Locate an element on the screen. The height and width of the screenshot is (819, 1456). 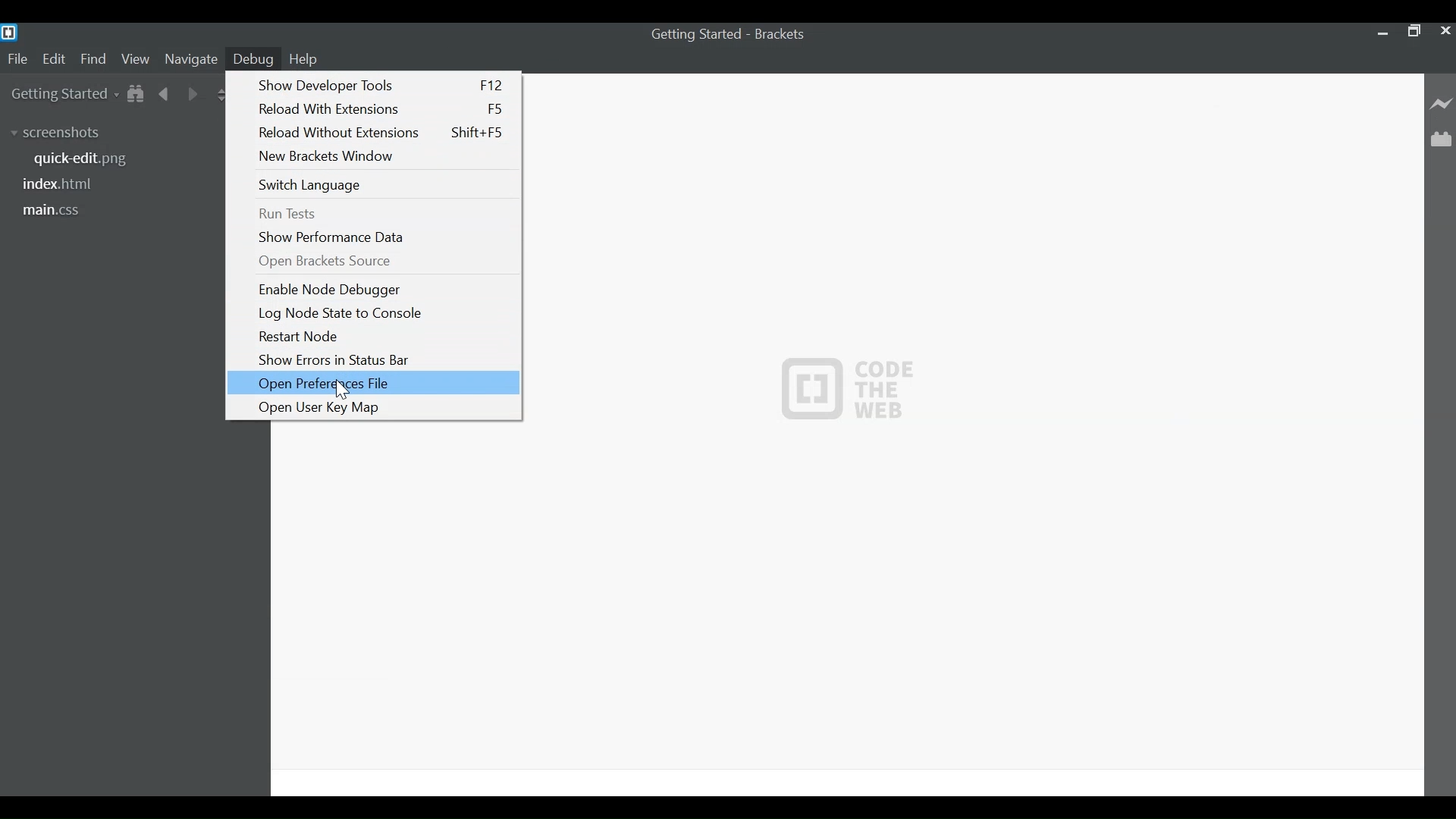
View  is located at coordinates (136, 58).